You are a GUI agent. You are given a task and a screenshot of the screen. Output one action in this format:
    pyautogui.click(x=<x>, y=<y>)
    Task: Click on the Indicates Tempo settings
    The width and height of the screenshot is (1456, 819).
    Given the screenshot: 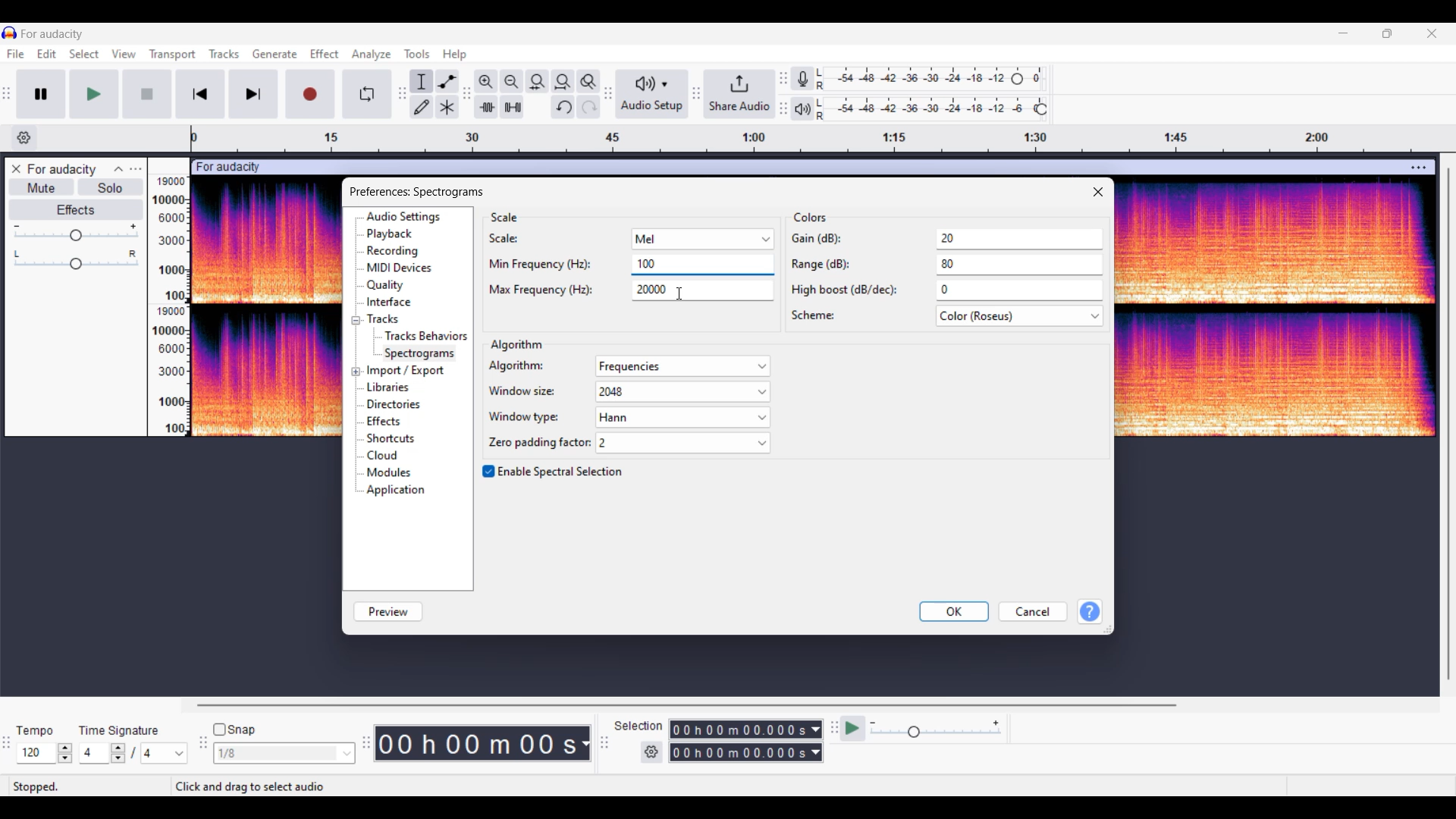 What is the action you would take?
    pyautogui.click(x=36, y=731)
    